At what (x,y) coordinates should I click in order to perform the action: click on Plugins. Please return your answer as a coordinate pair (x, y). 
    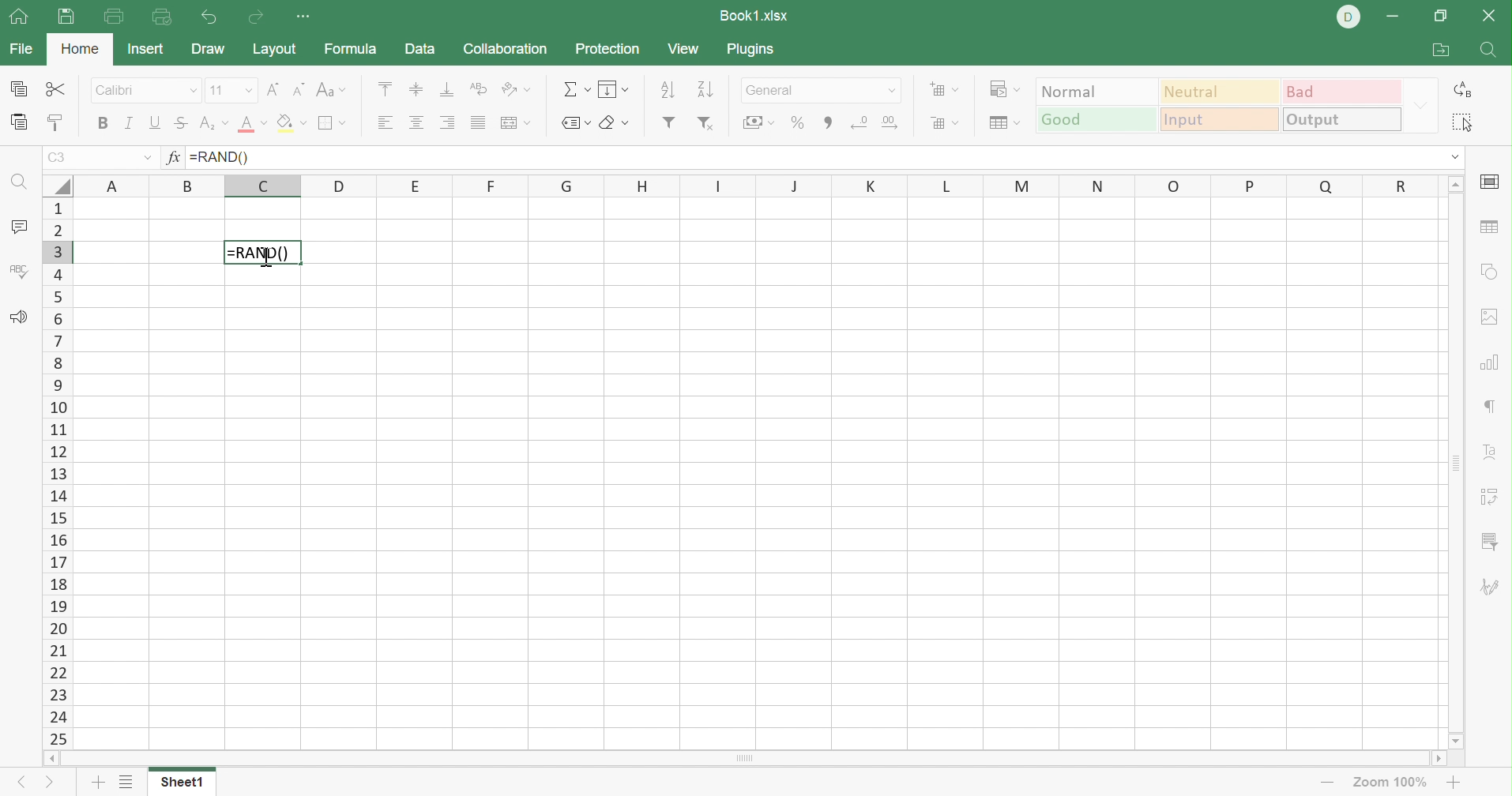
    Looking at the image, I should click on (751, 50).